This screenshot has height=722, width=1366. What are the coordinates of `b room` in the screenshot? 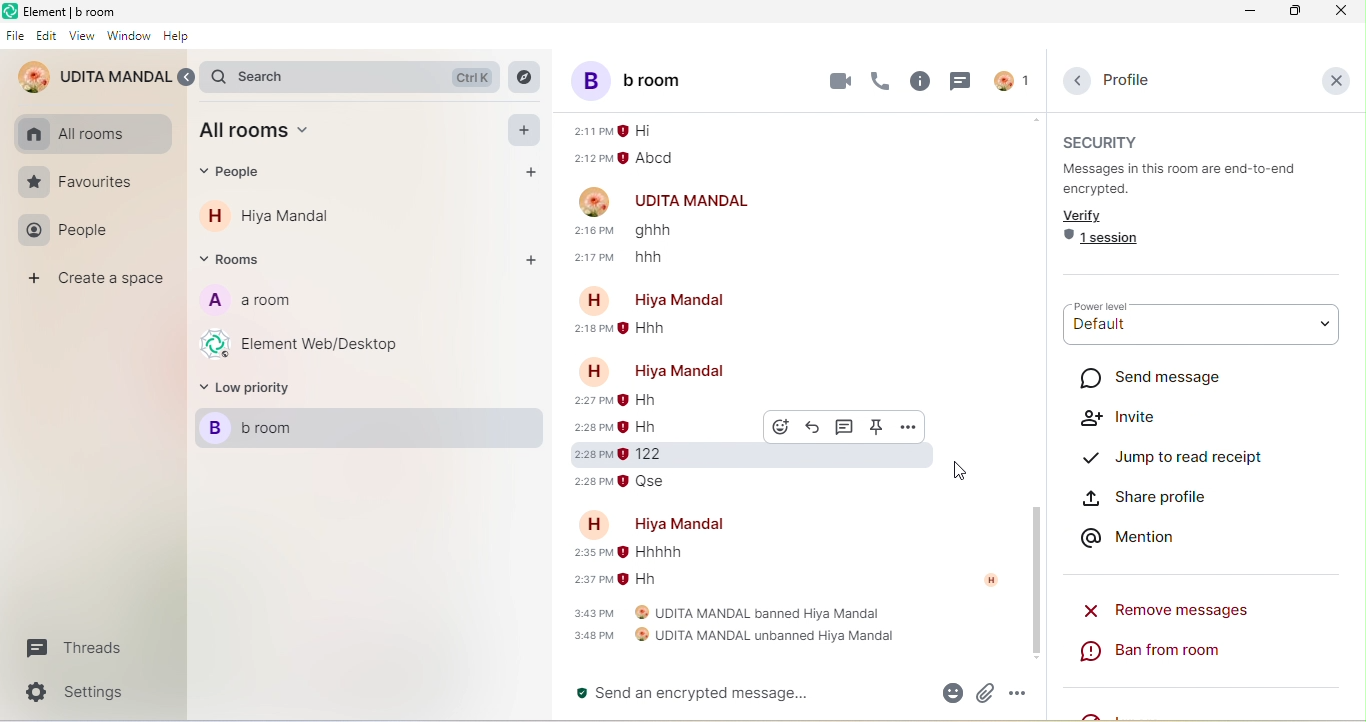 It's located at (654, 79).